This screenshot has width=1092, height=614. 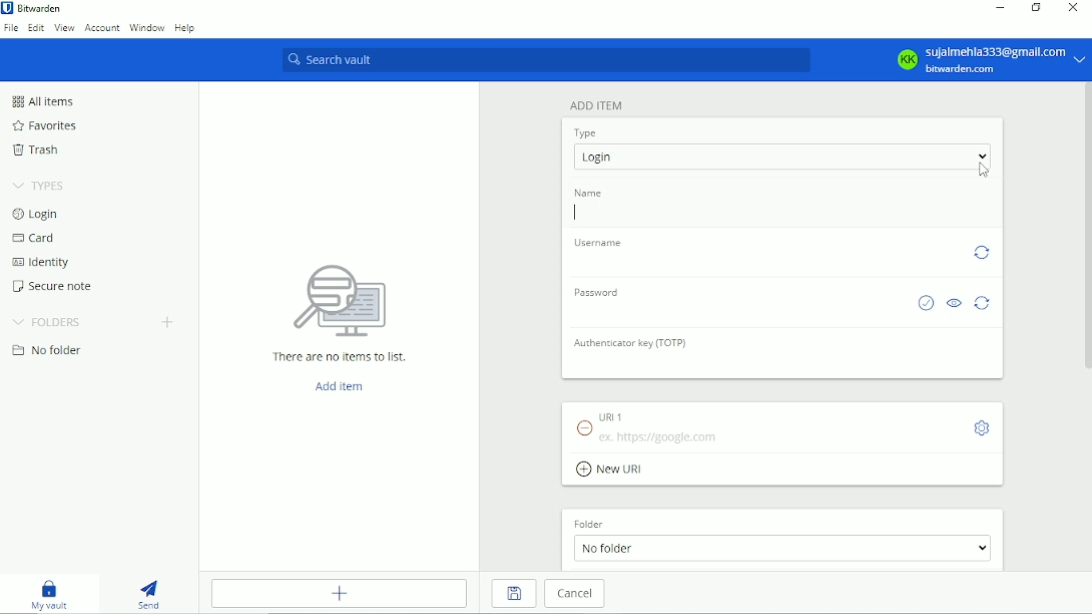 I want to click on Add item, so click(x=341, y=594).